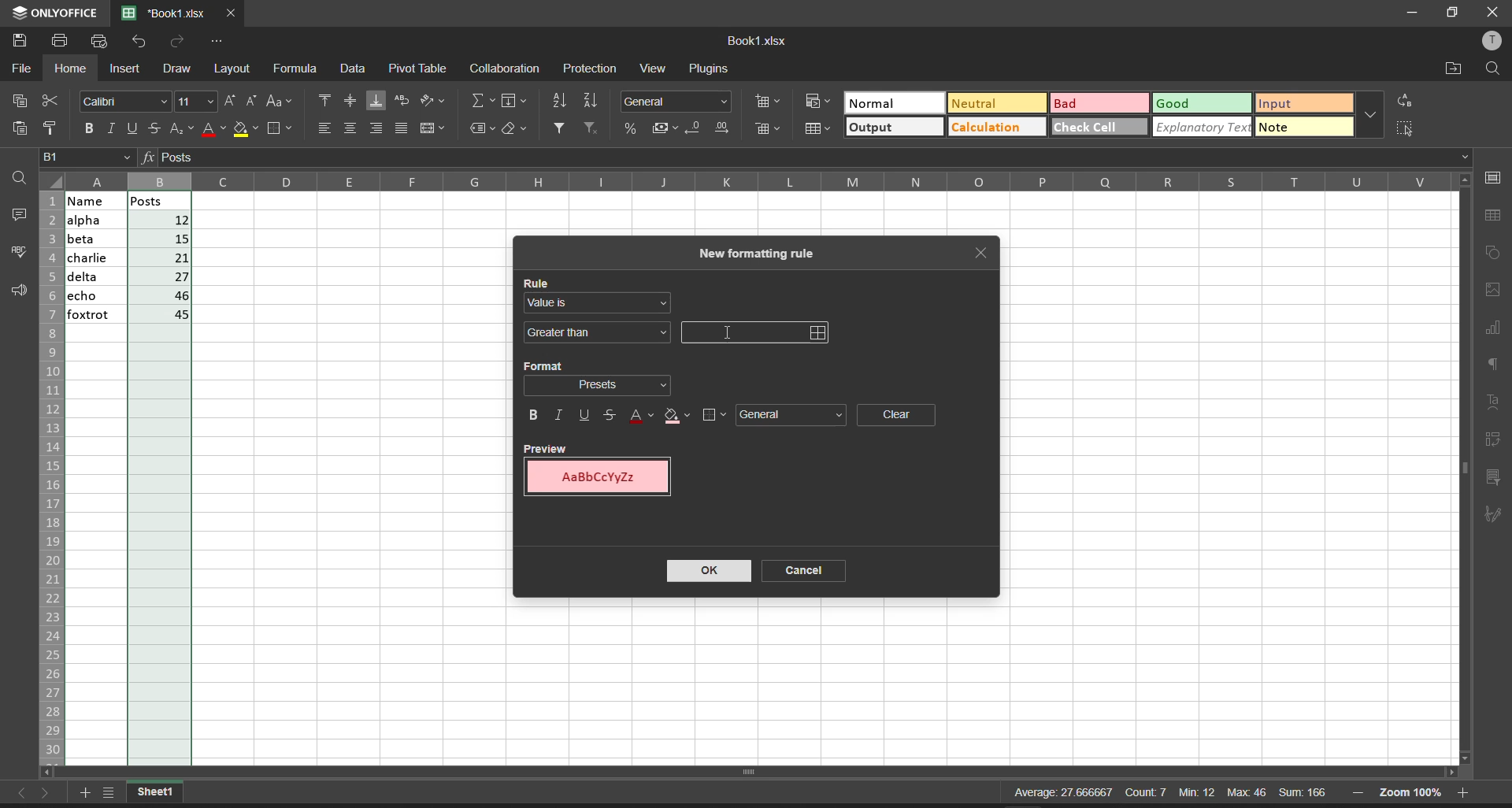 The image size is (1512, 808). I want to click on output, so click(872, 128).